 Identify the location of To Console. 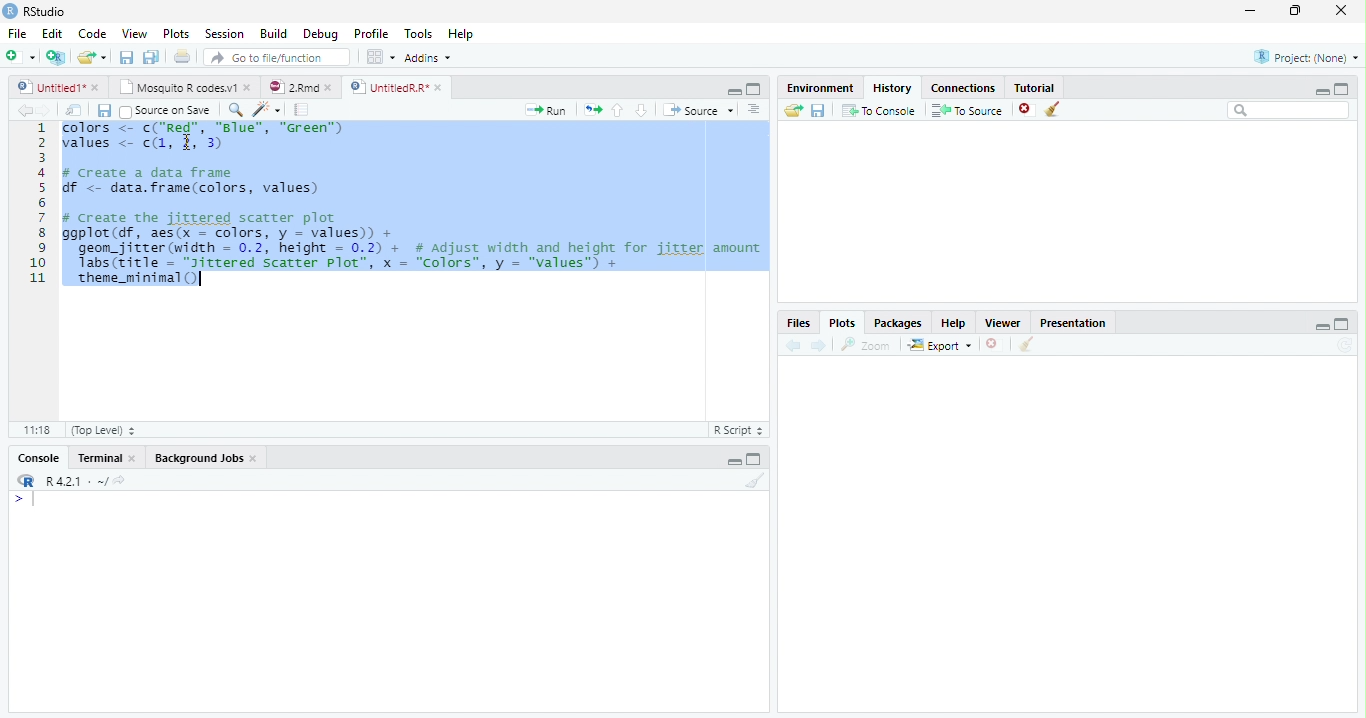
(878, 111).